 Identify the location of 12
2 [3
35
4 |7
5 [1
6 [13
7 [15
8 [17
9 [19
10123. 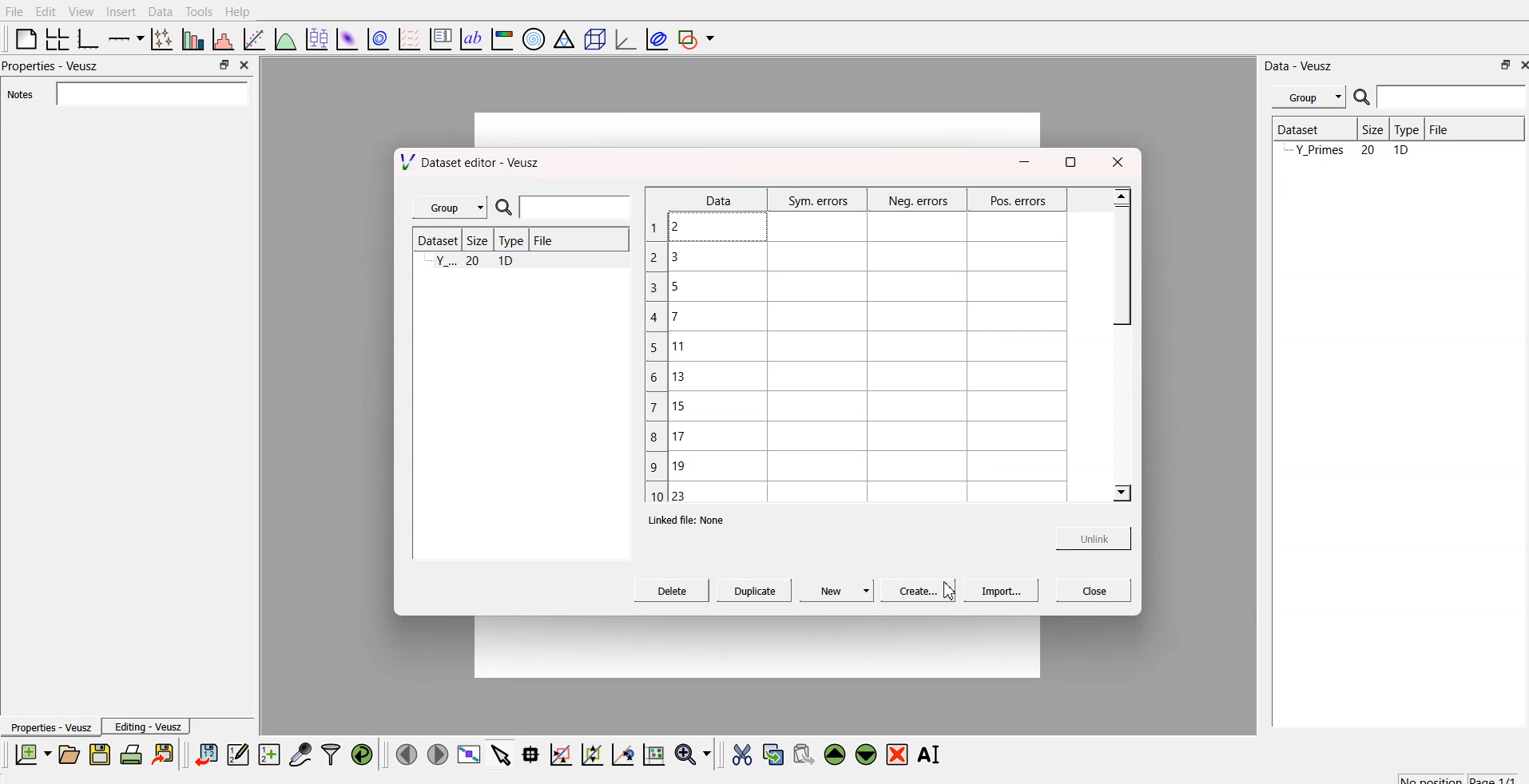
(666, 358).